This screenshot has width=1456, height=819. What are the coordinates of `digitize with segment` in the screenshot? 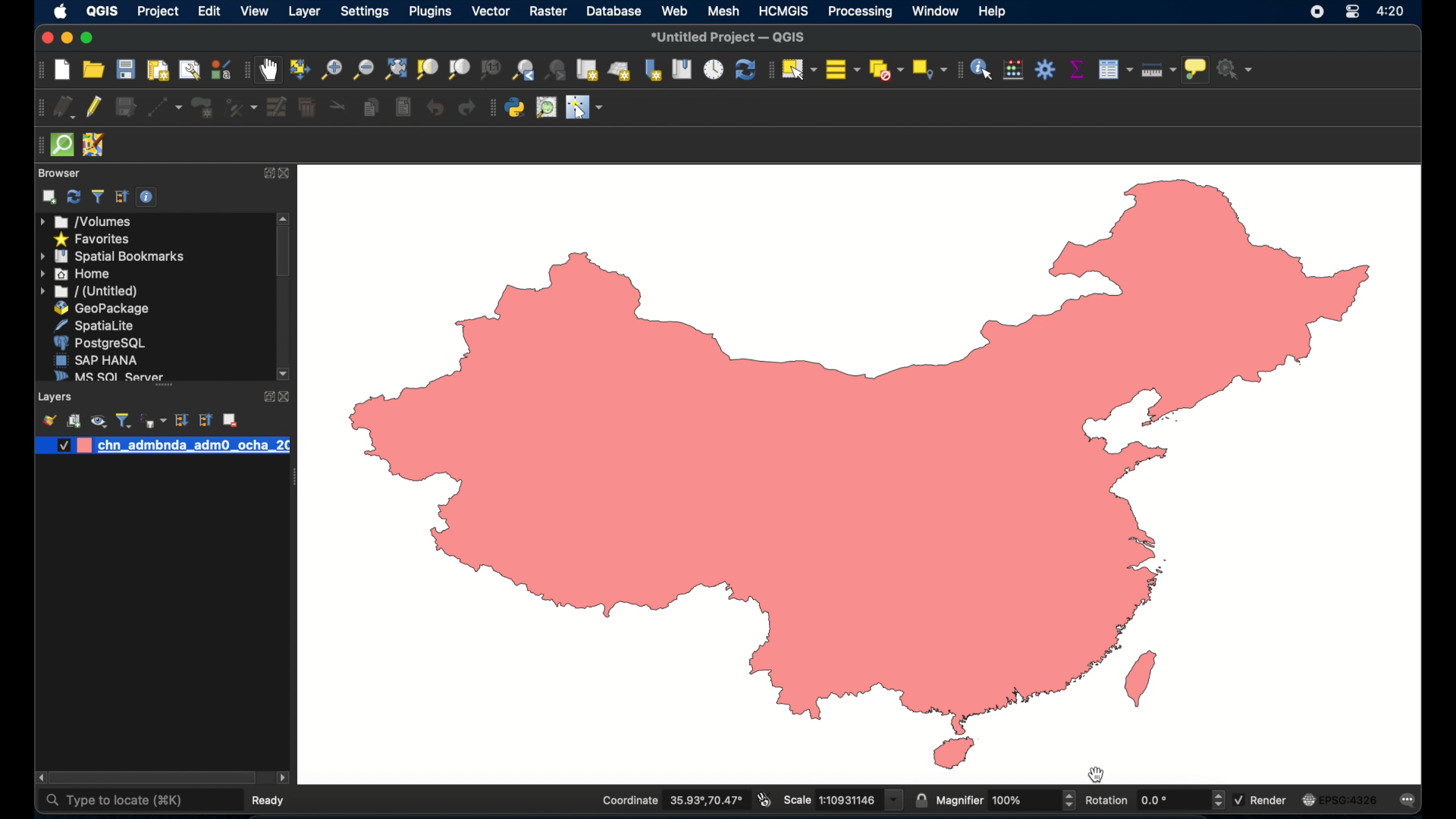 It's located at (165, 108).